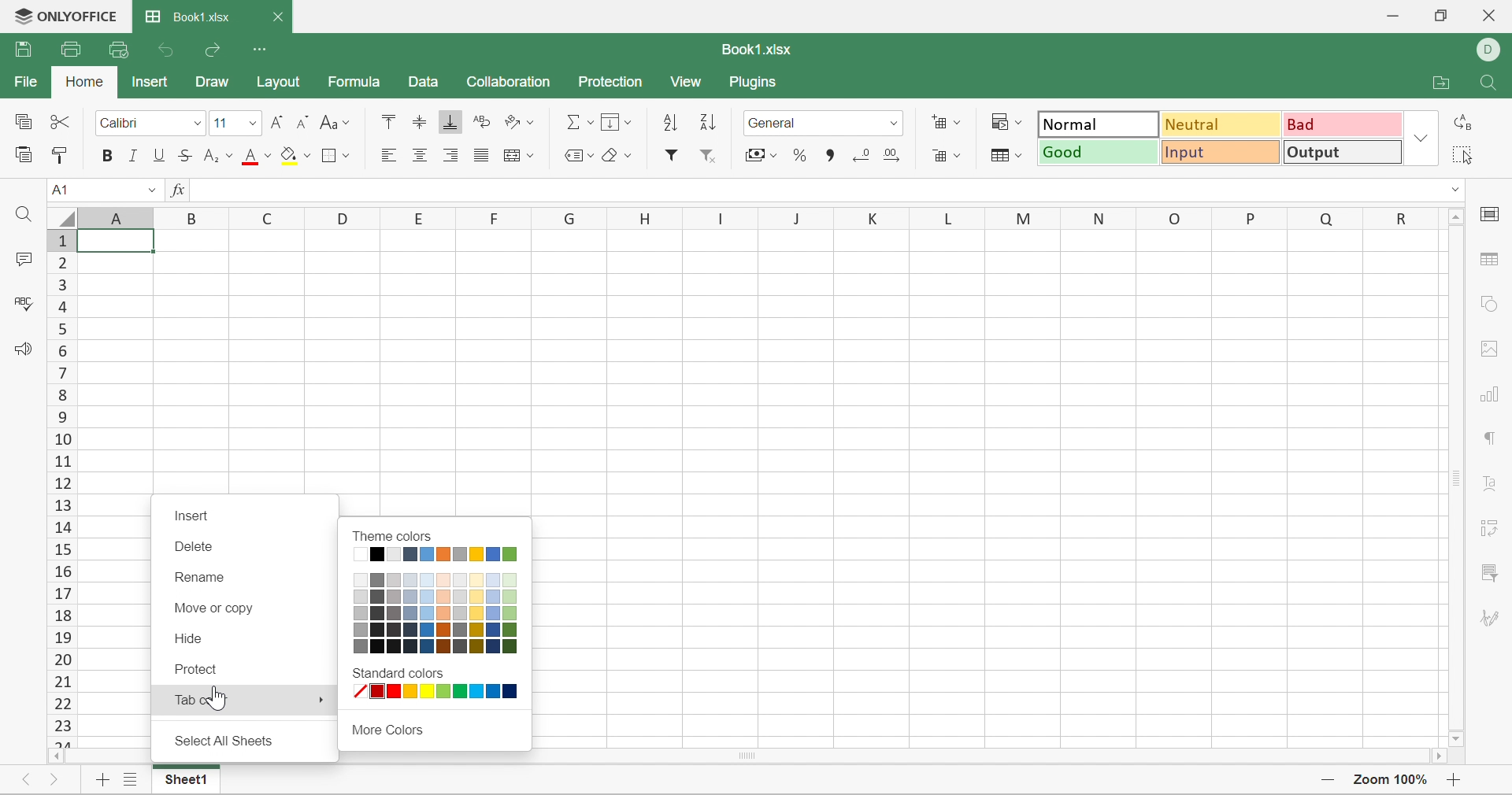  What do you see at coordinates (279, 18) in the screenshot?
I see `Close` at bounding box center [279, 18].